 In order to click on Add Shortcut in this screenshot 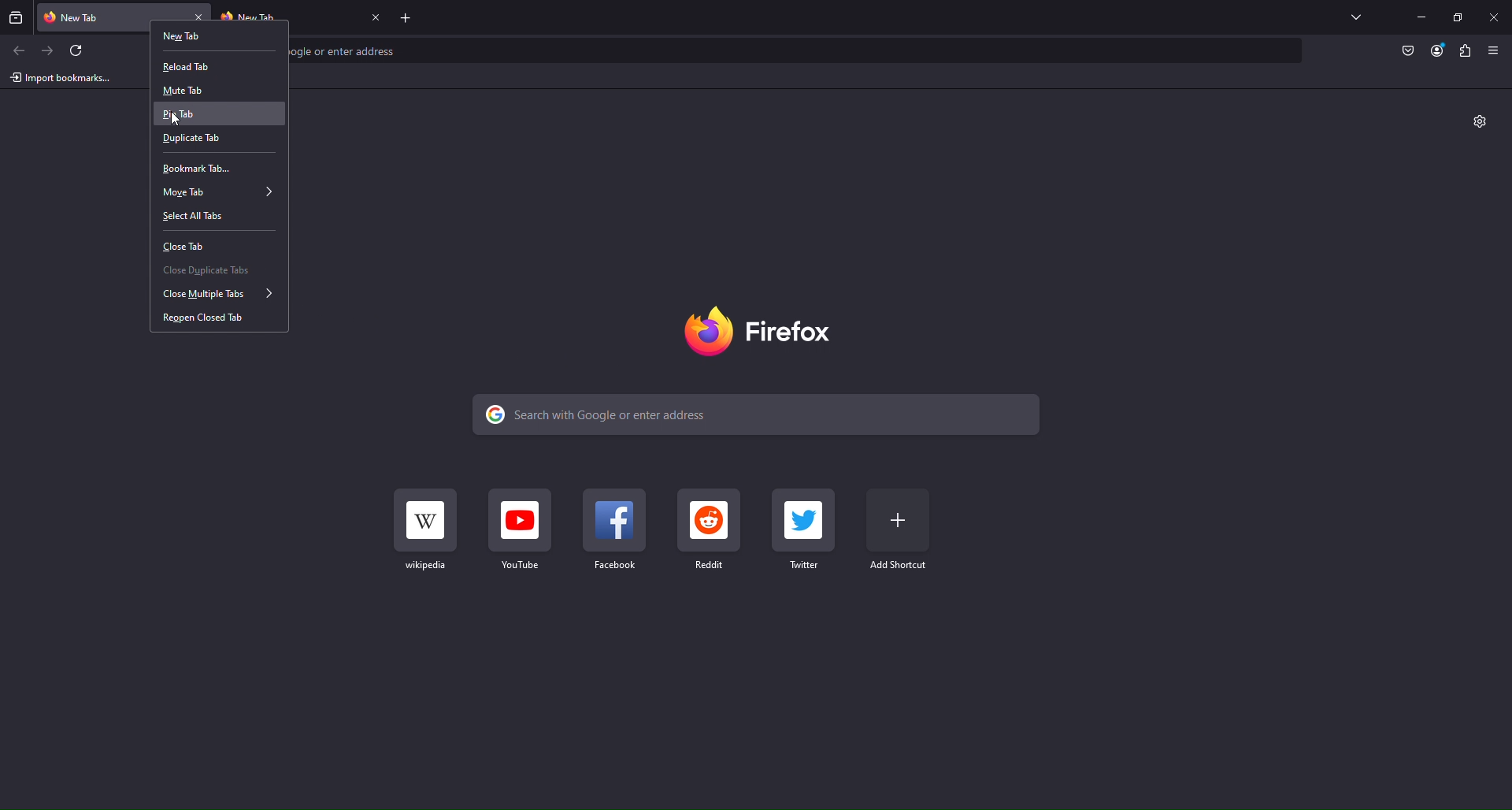, I will do `click(899, 530)`.